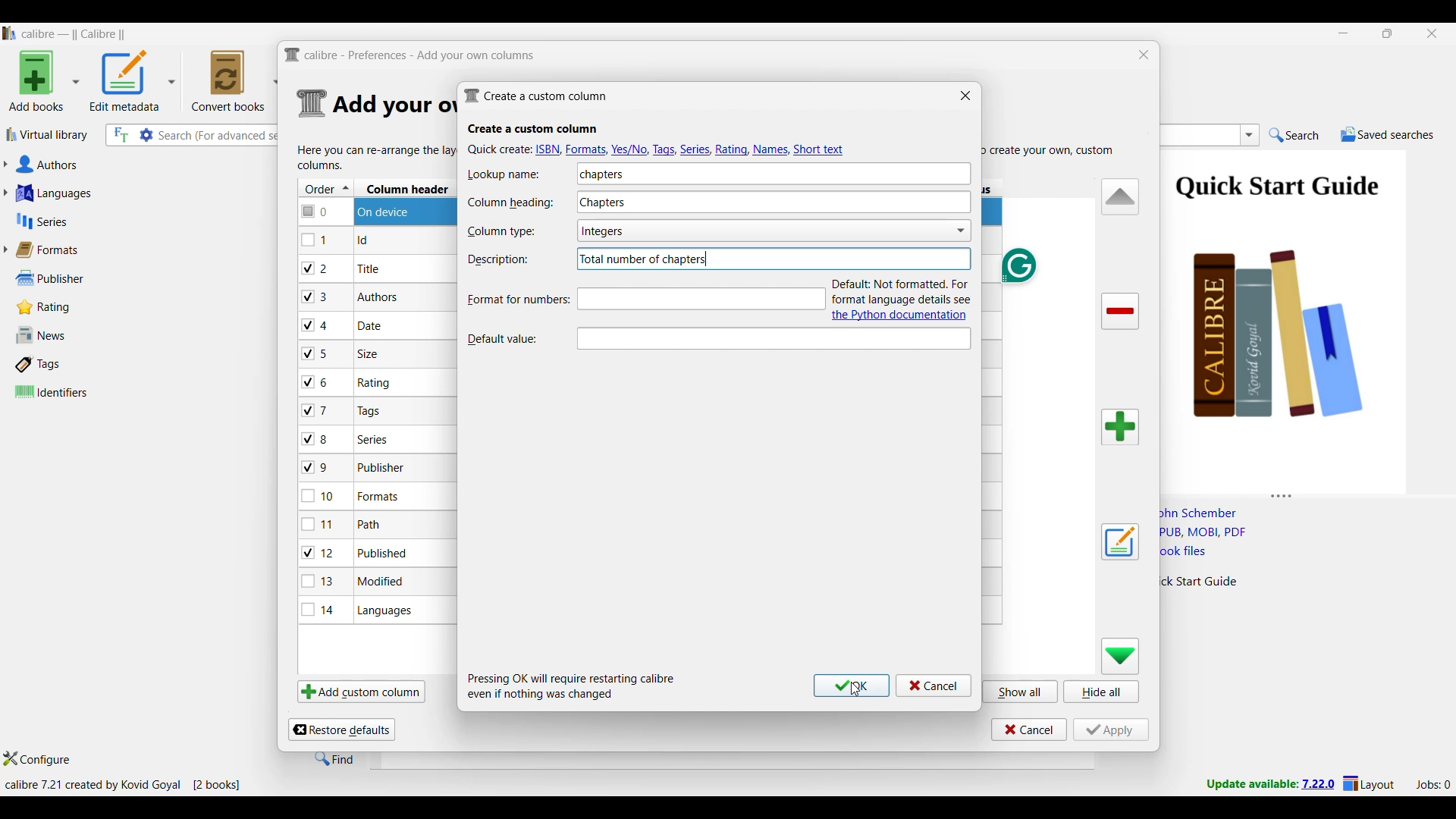 This screenshot has height=819, width=1456. I want to click on Publisher, so click(67, 278).